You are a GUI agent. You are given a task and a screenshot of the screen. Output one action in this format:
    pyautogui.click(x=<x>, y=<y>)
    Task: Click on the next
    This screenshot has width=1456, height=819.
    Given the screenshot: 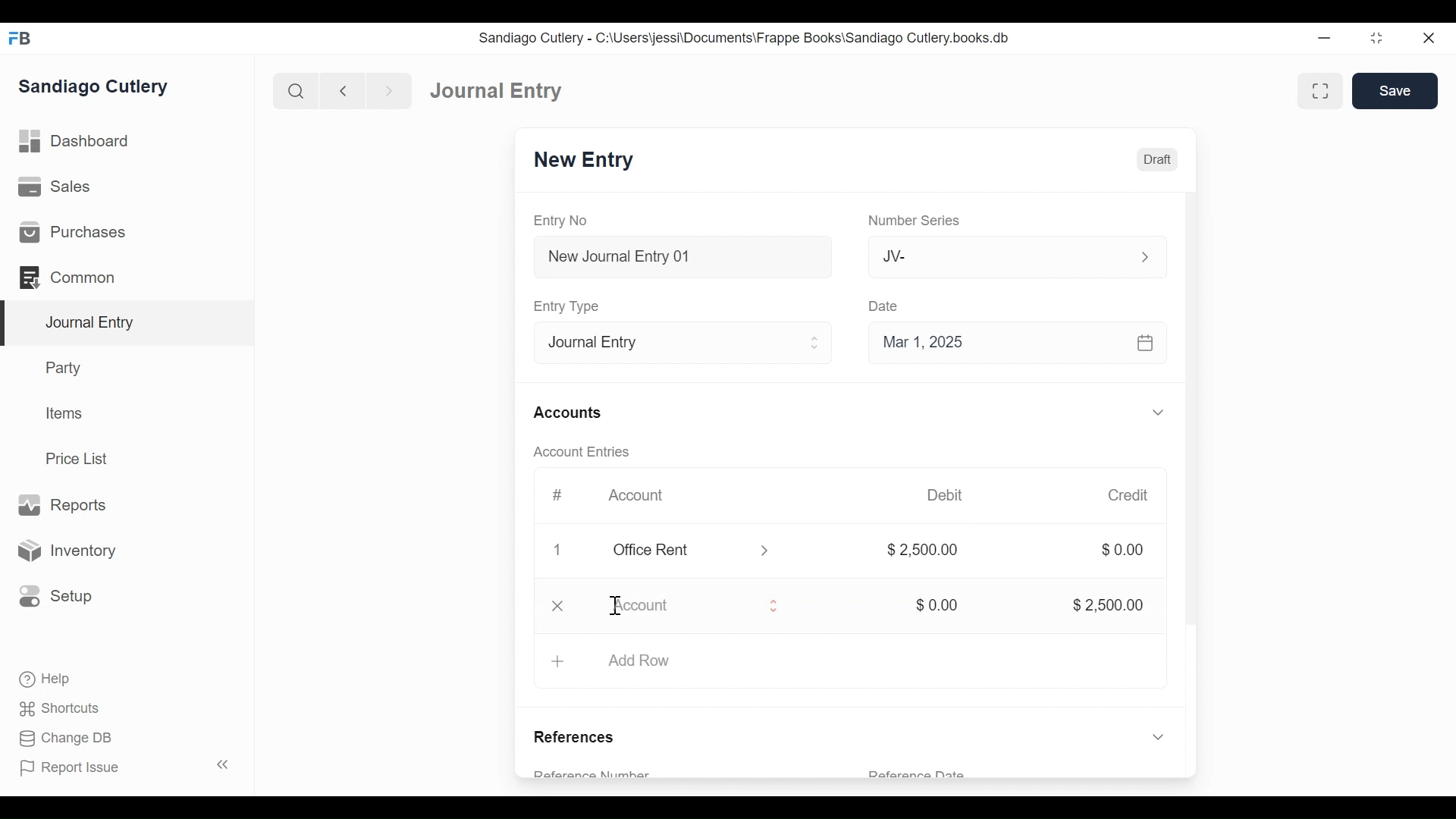 What is the action you would take?
    pyautogui.click(x=384, y=89)
    